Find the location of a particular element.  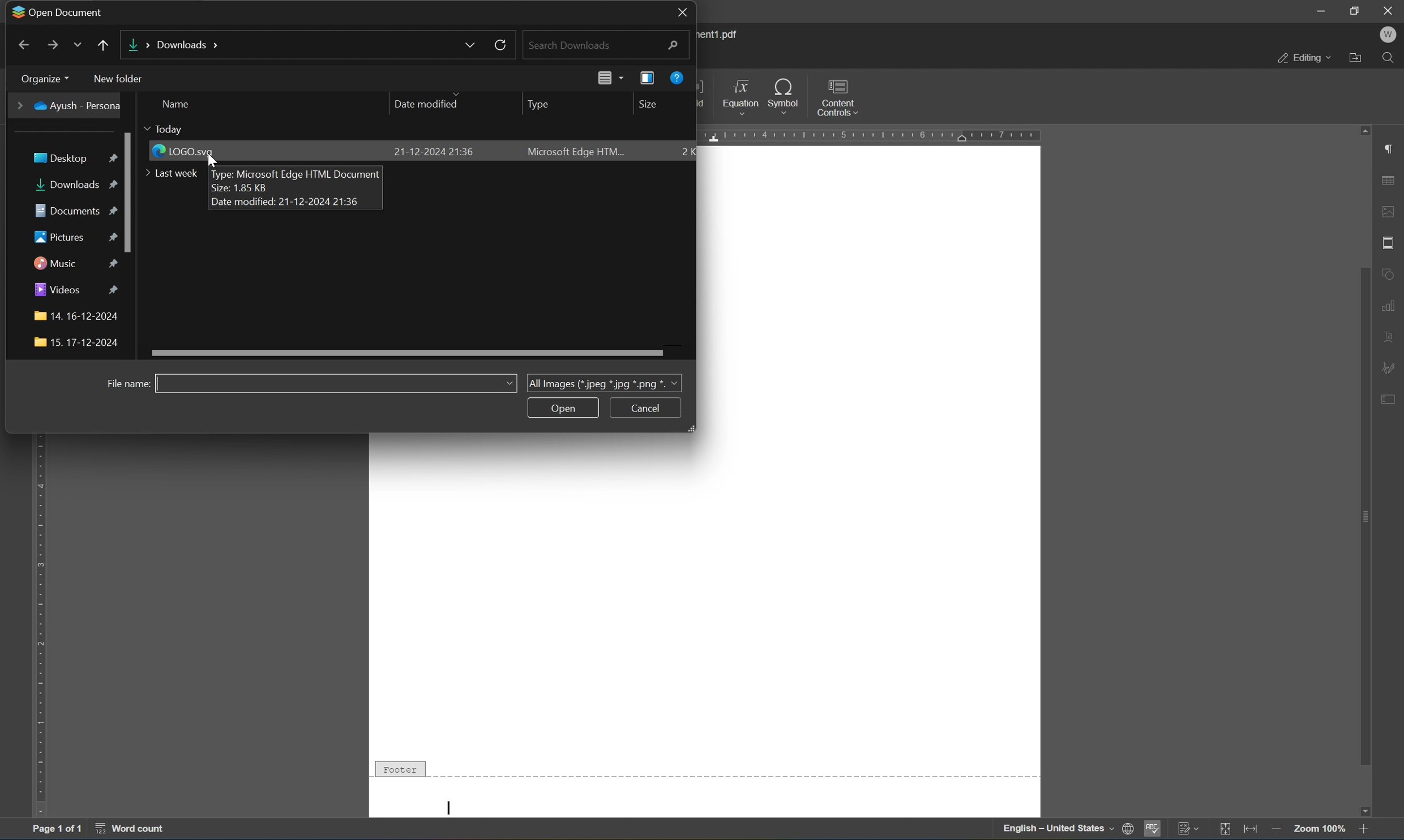

close is located at coordinates (681, 14).